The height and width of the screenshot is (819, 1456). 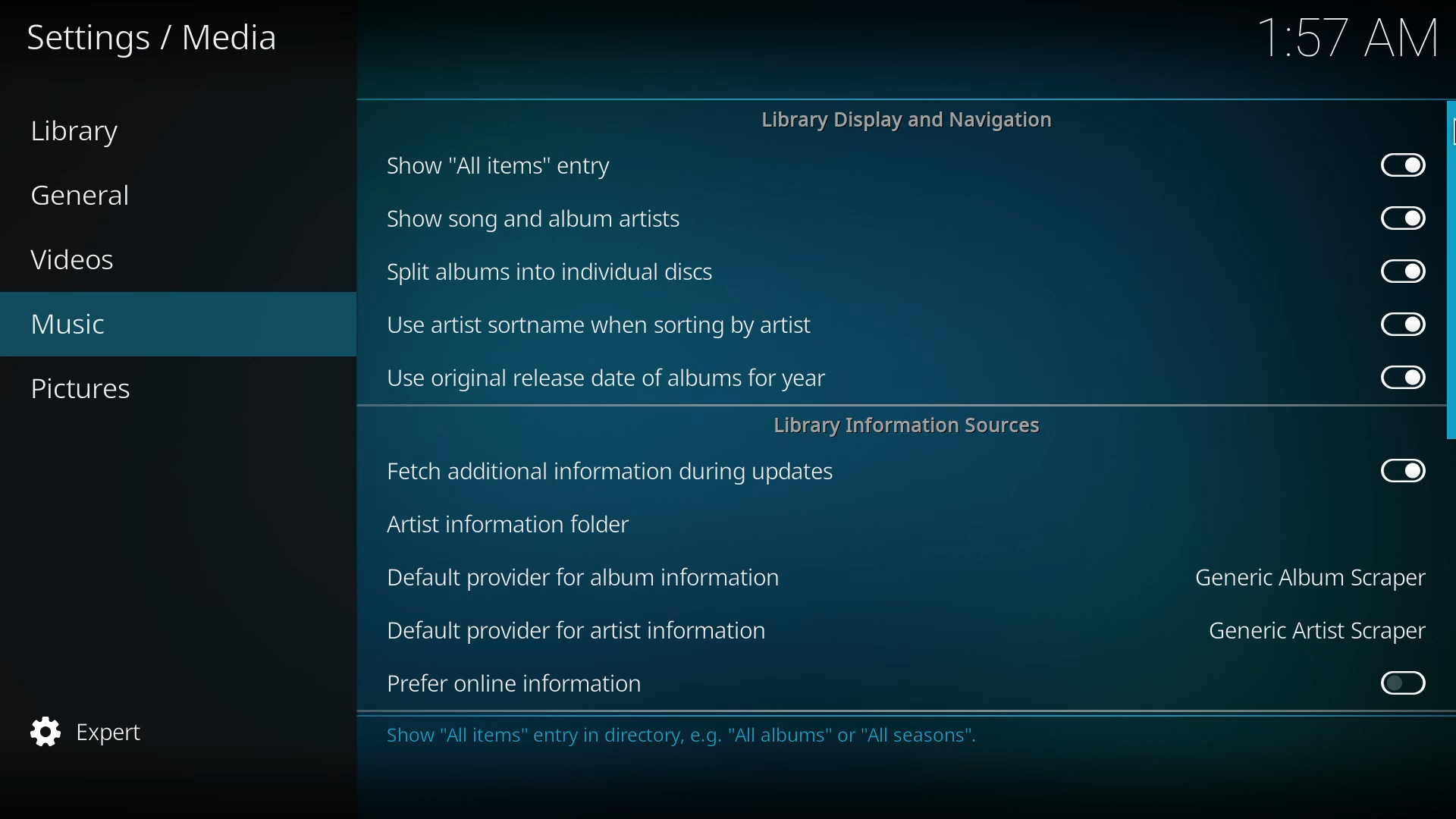 I want to click on enabled, so click(x=1399, y=271).